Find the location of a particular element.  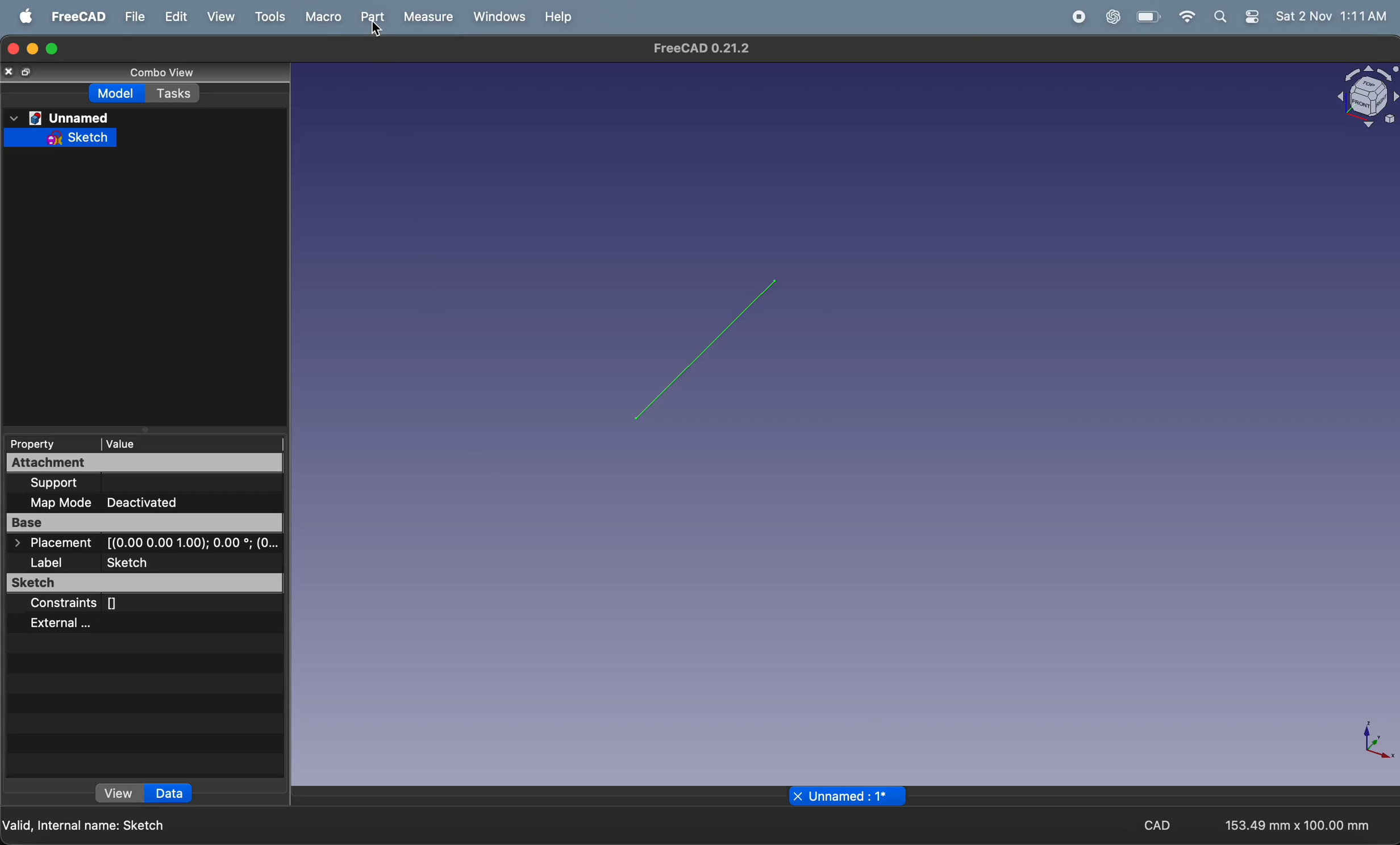

map mode is located at coordinates (55, 503).